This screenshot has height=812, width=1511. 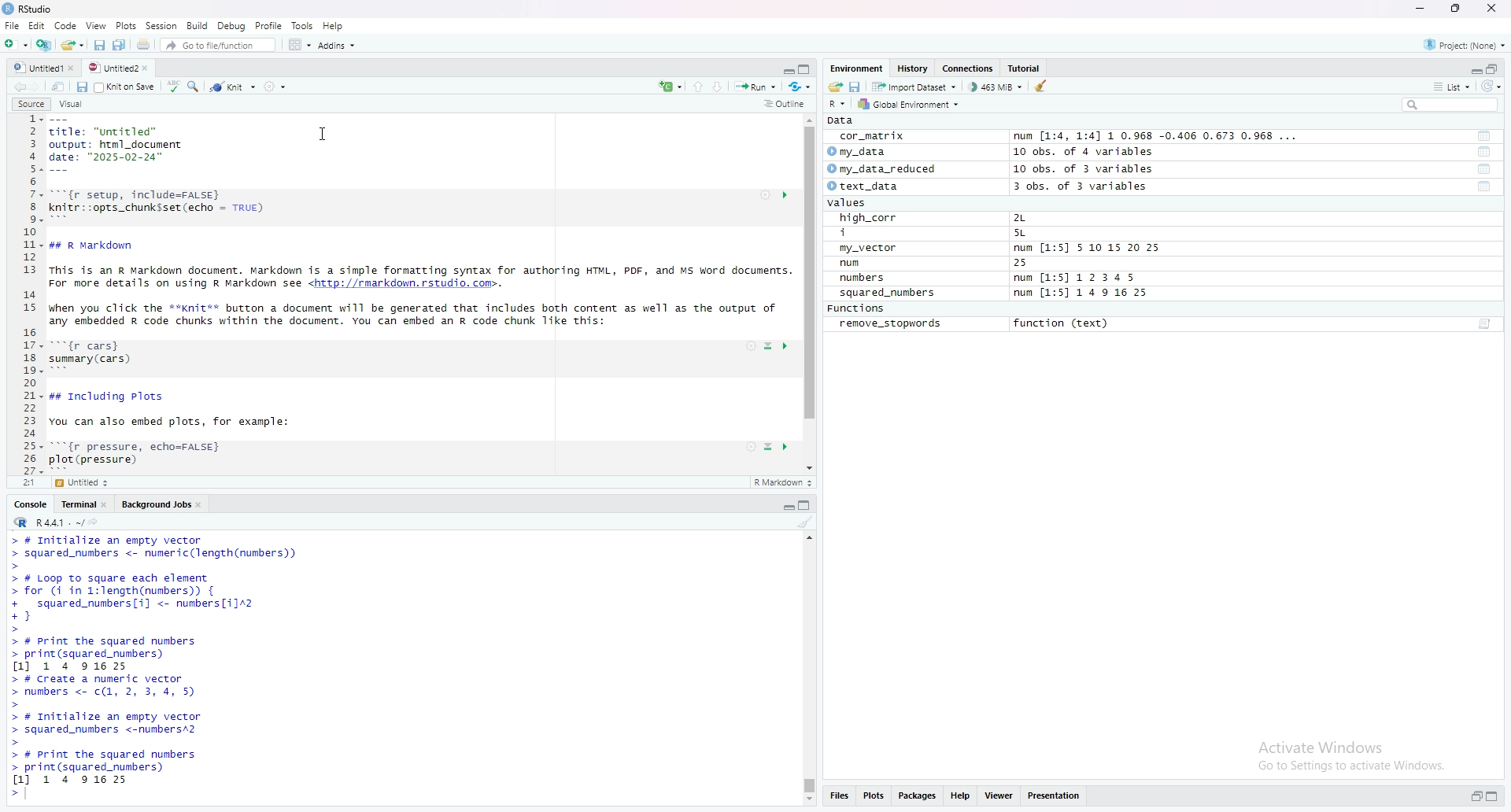 What do you see at coordinates (146, 68) in the screenshot?
I see `close` at bounding box center [146, 68].